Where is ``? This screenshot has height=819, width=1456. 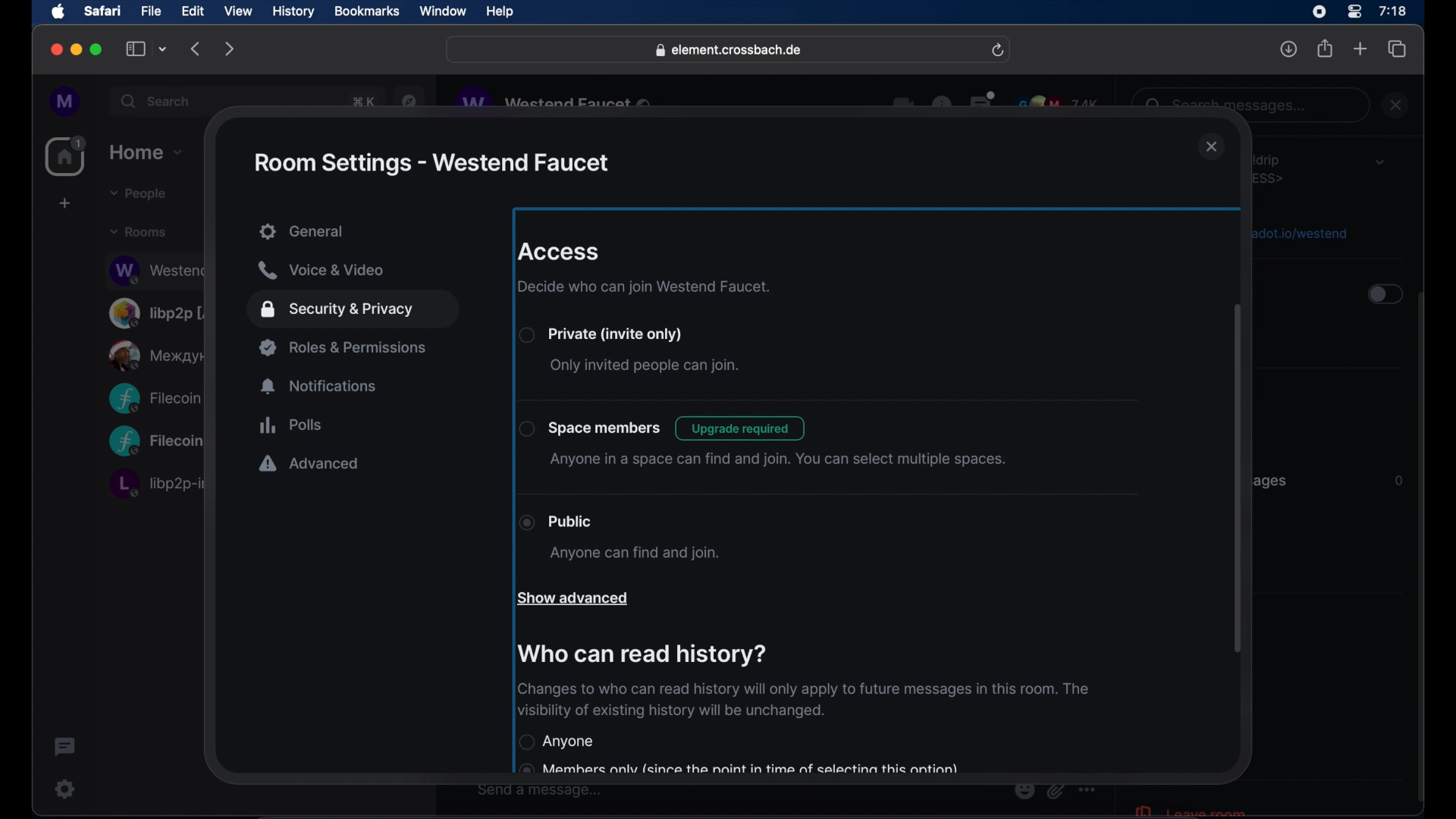
 is located at coordinates (1398, 481).